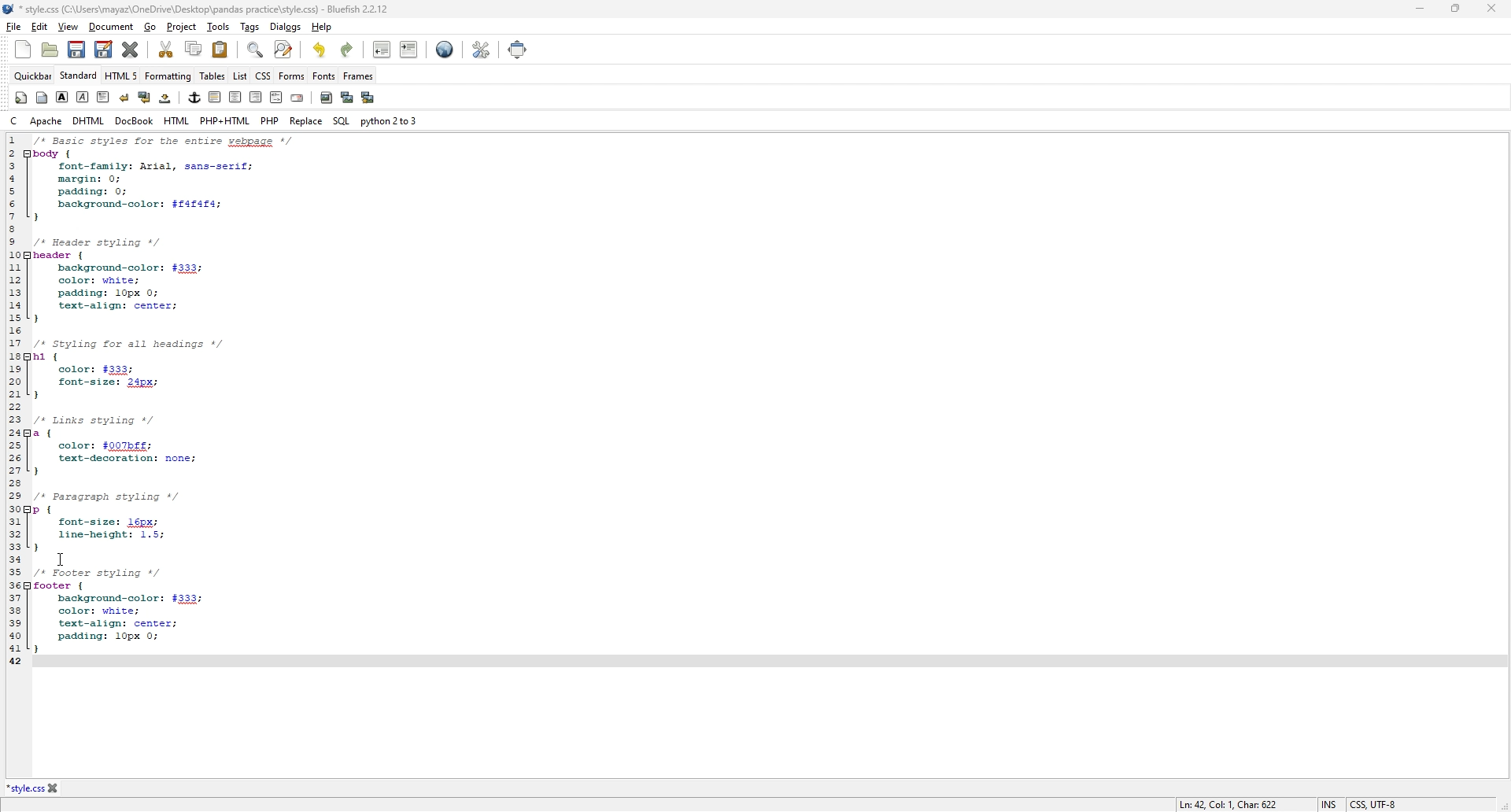  What do you see at coordinates (284, 50) in the screenshot?
I see `advanced find and replace` at bounding box center [284, 50].